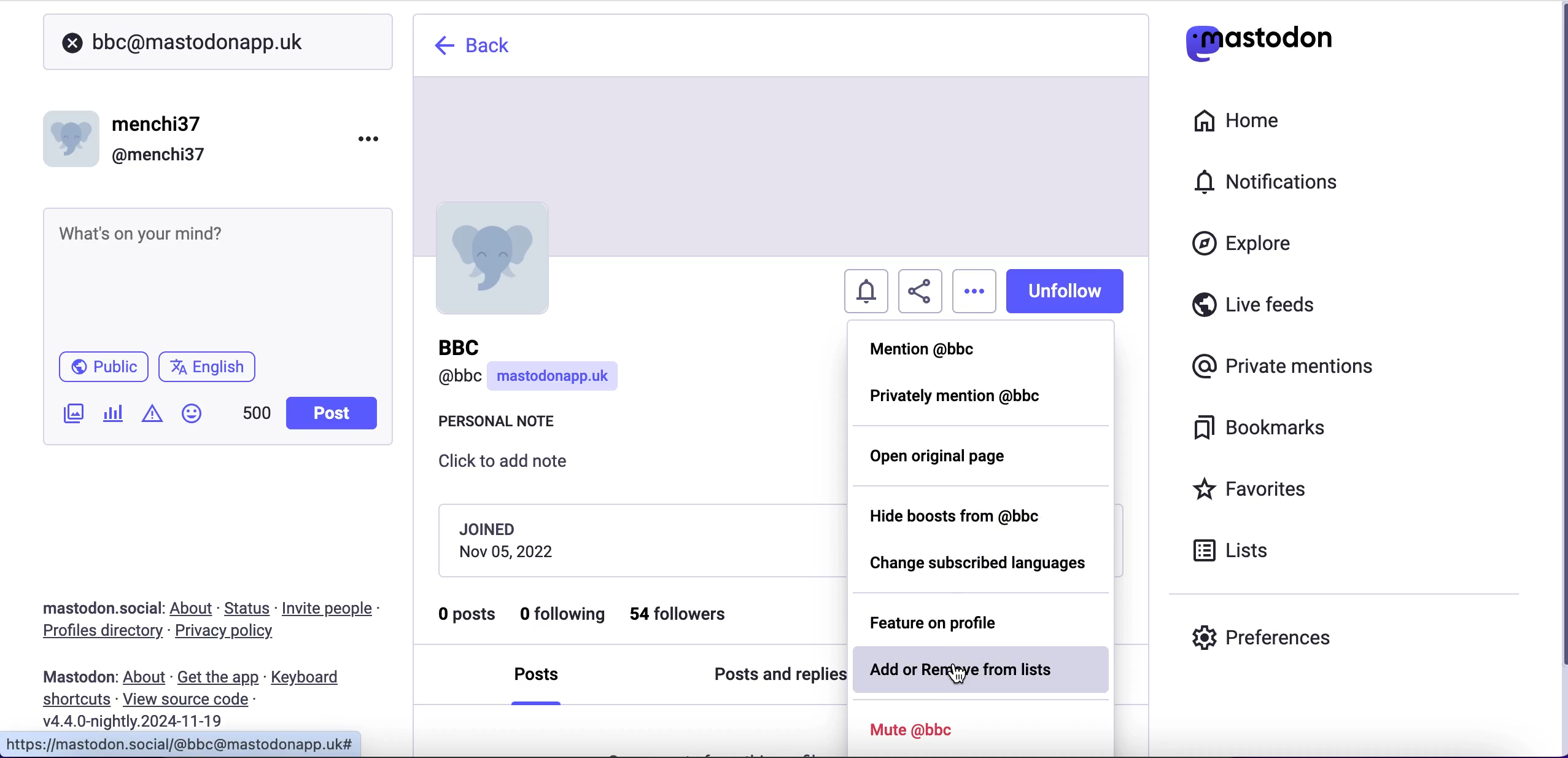 This screenshot has height=758, width=1568. What do you see at coordinates (95, 633) in the screenshot?
I see `profiles directory` at bounding box center [95, 633].